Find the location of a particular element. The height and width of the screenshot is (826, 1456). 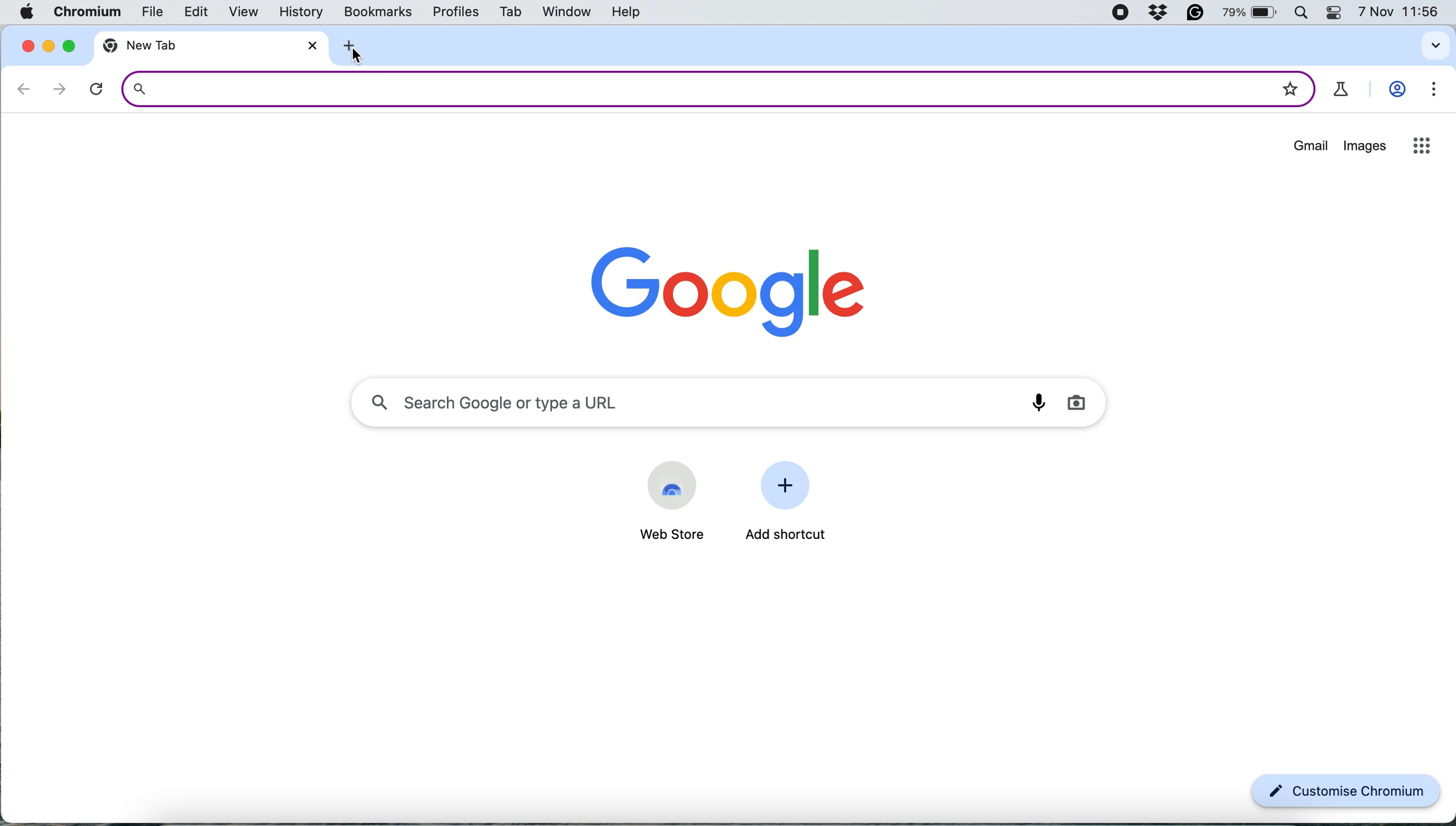

tab is located at coordinates (508, 14).